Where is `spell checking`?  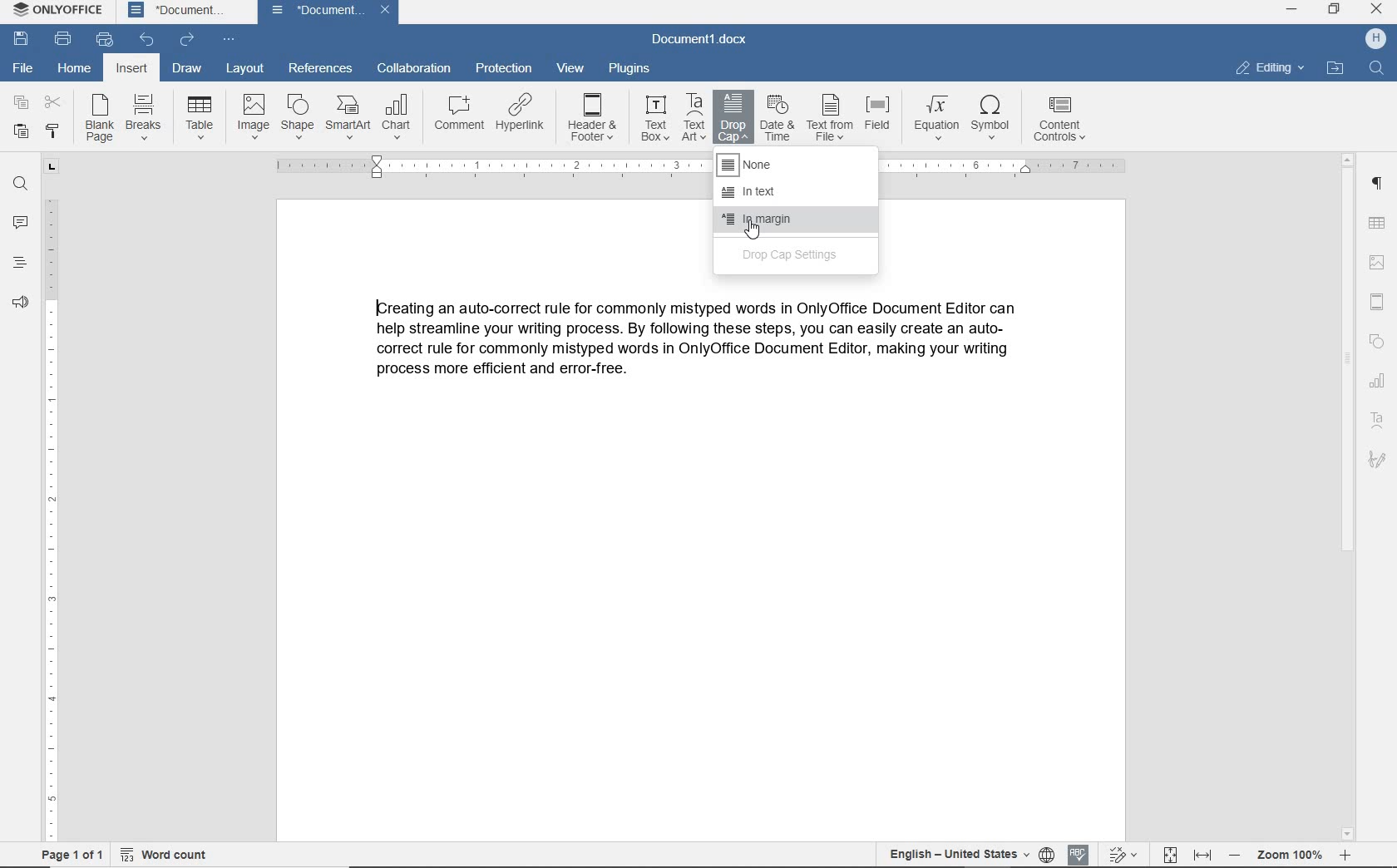
spell checking is located at coordinates (1075, 854).